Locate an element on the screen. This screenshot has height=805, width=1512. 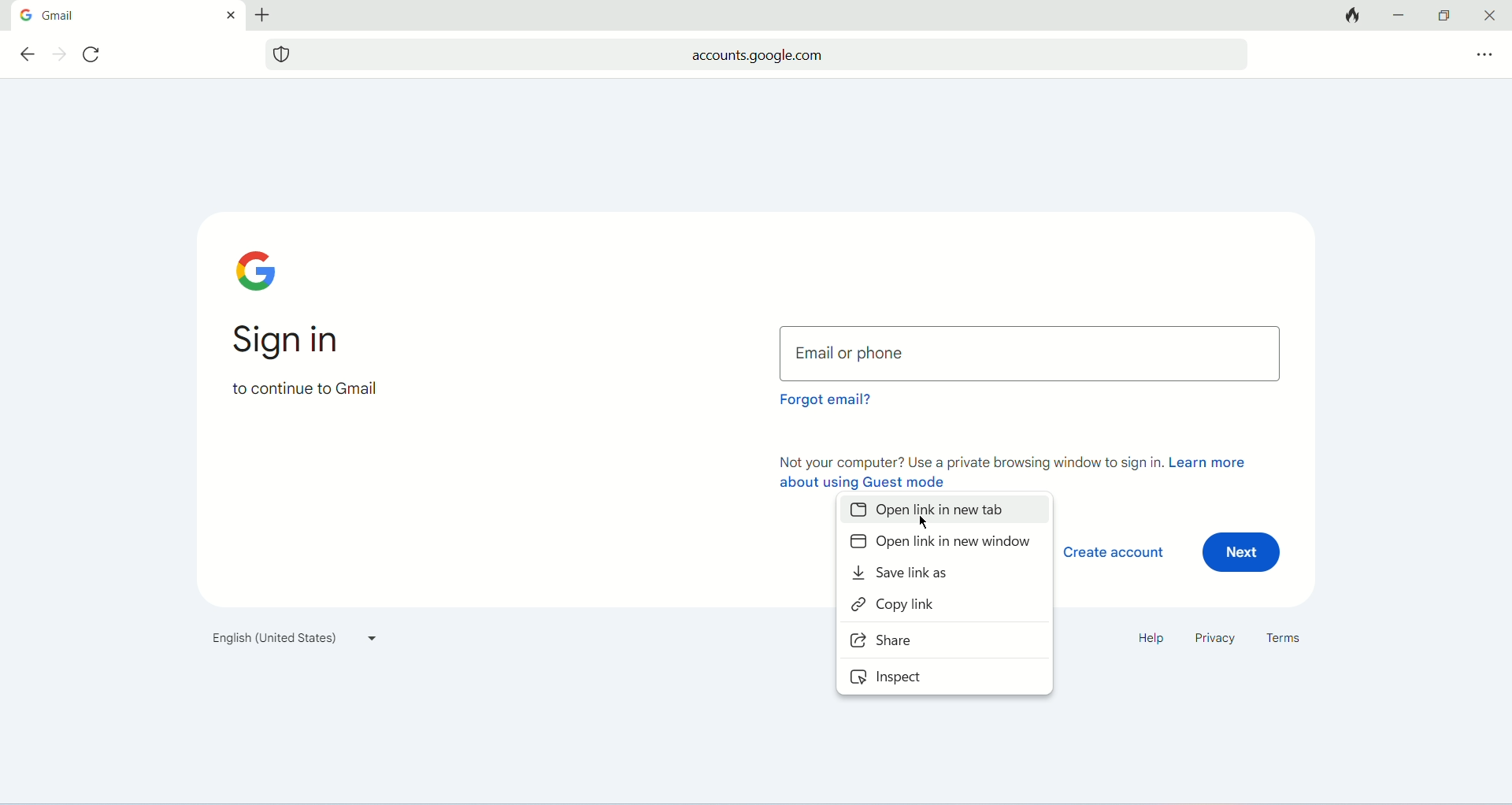
accounts.google.com is located at coordinates (774, 54).